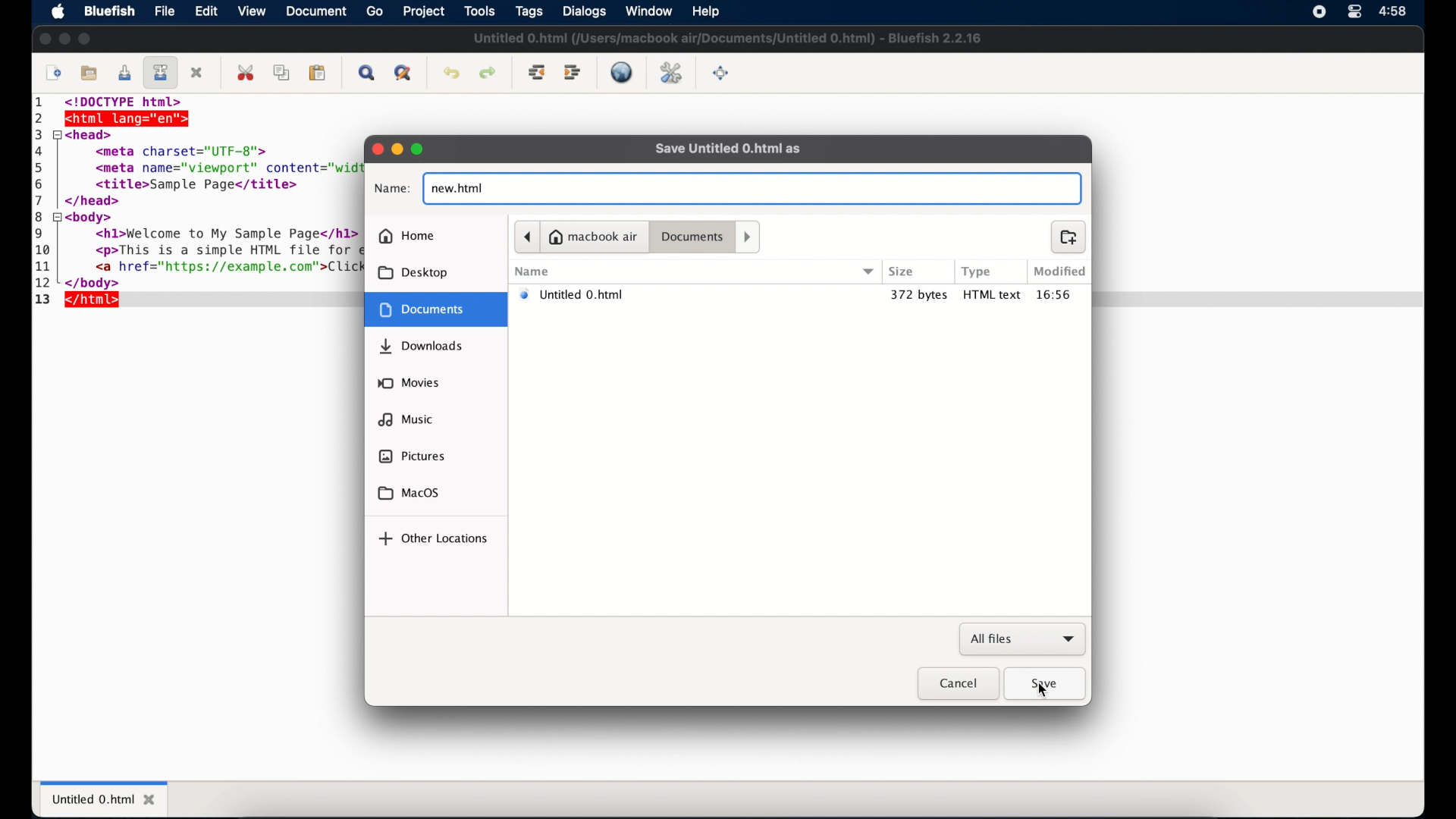 The height and width of the screenshot is (819, 1456). I want to click on untitled 0.html, so click(105, 798).